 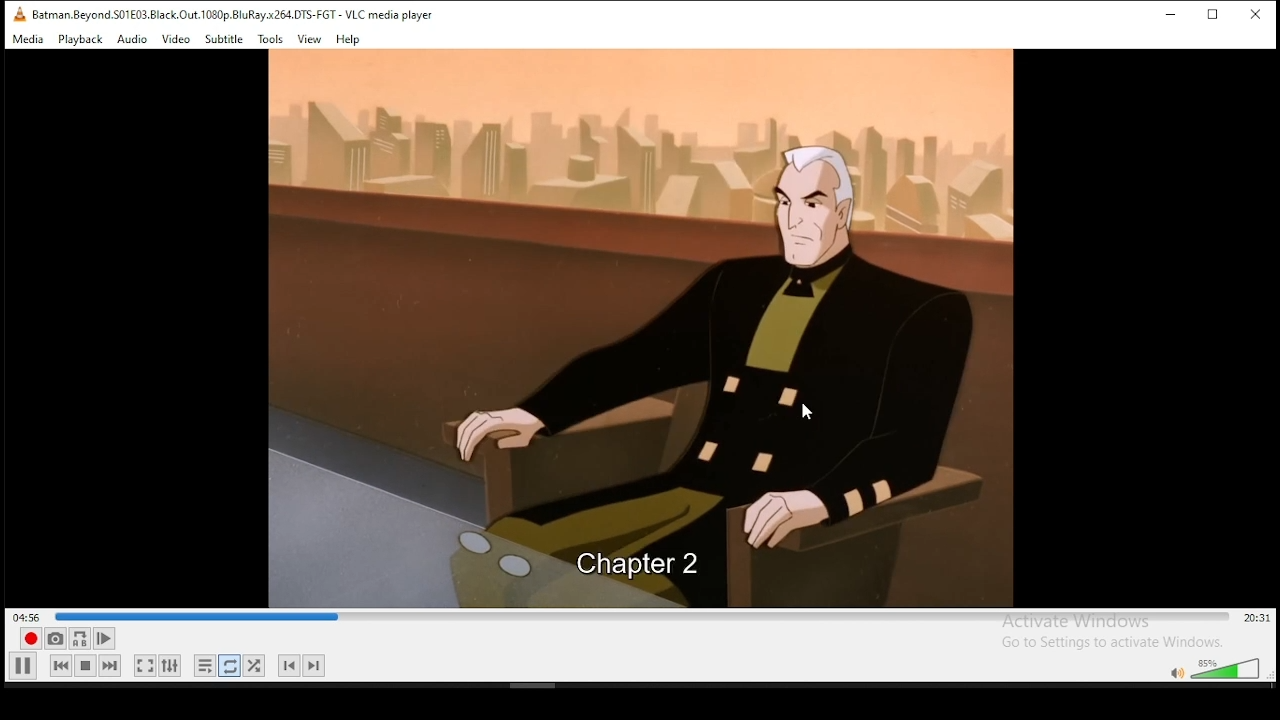 What do you see at coordinates (30, 639) in the screenshot?
I see `record` at bounding box center [30, 639].